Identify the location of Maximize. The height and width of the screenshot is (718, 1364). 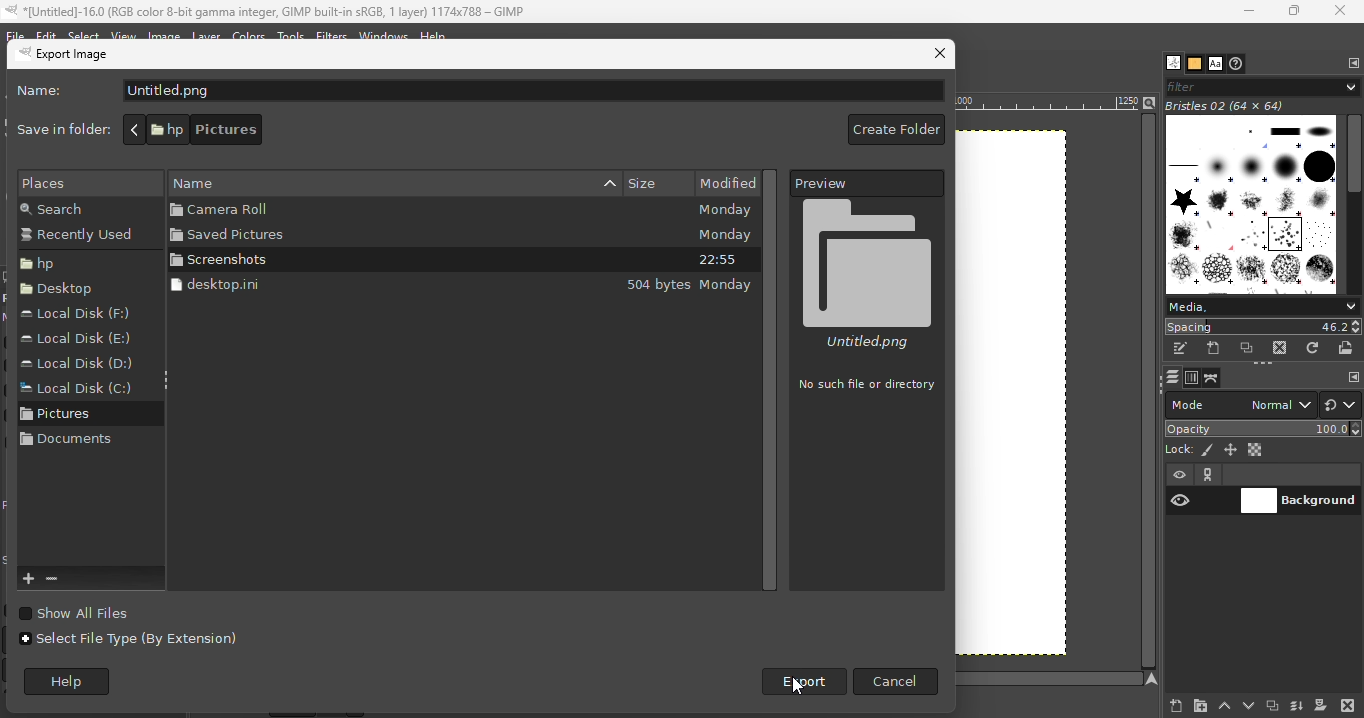
(1295, 12).